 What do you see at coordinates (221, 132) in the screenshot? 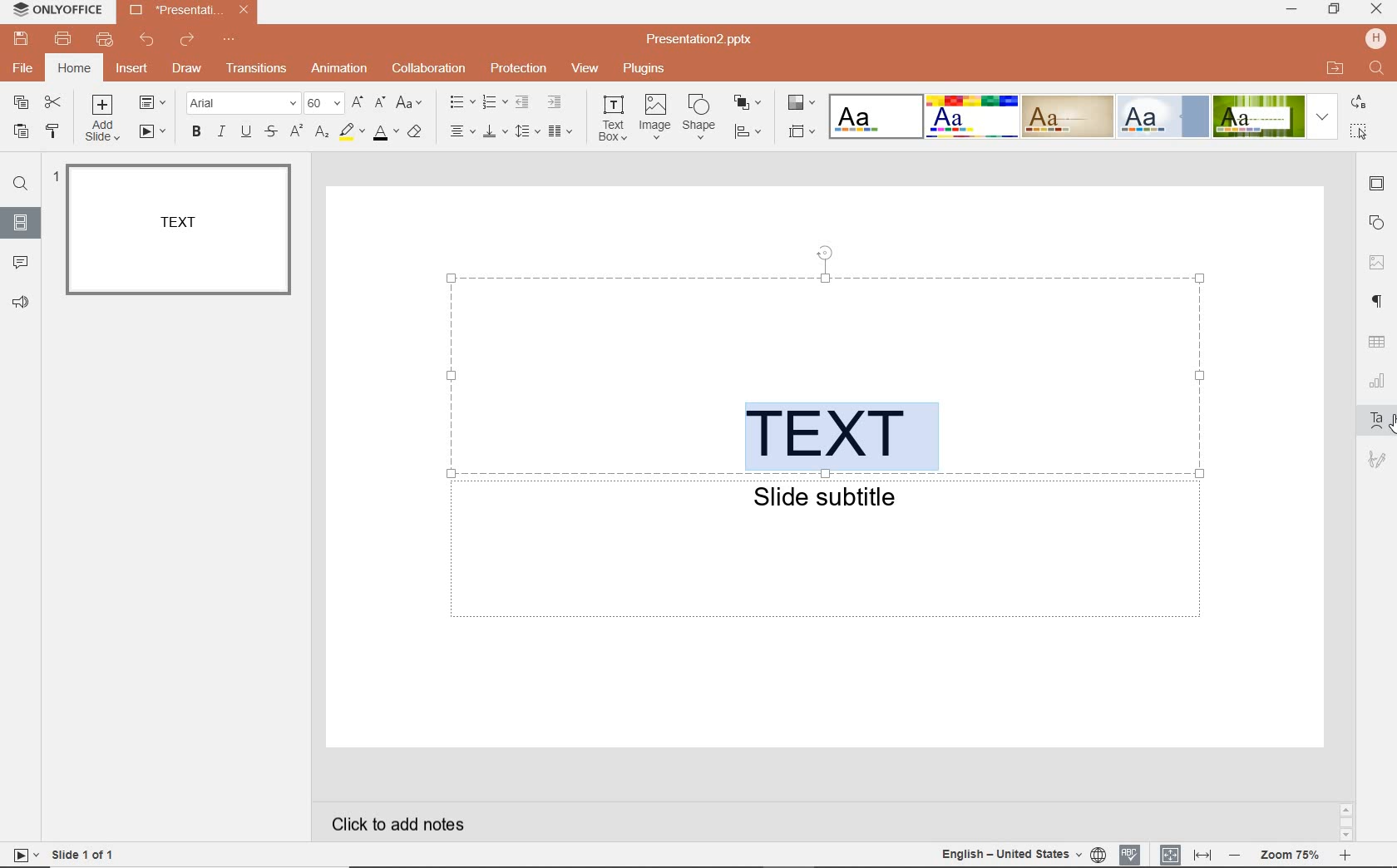
I see `ITALIC` at bounding box center [221, 132].